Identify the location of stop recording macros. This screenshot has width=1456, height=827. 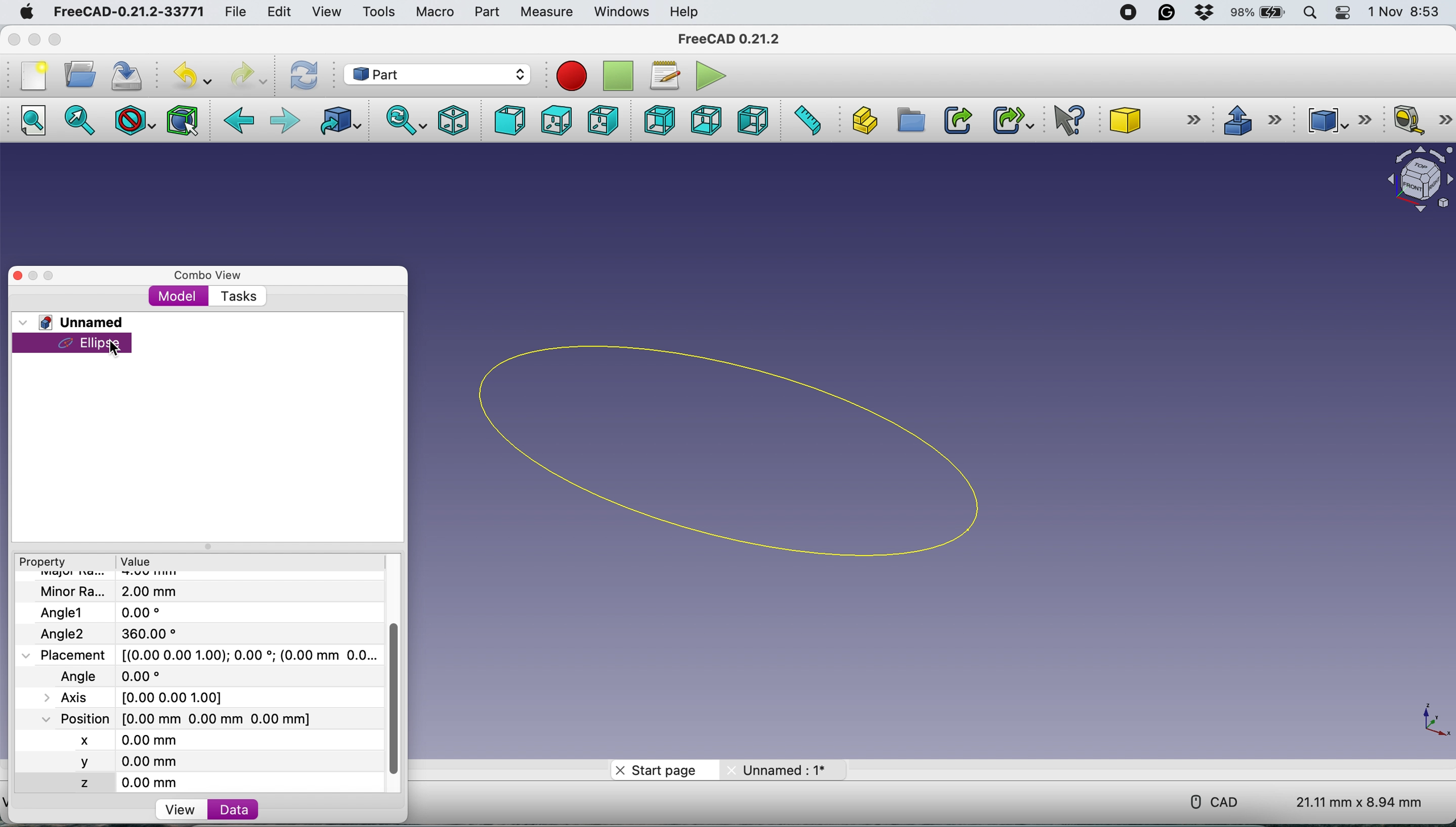
(621, 75).